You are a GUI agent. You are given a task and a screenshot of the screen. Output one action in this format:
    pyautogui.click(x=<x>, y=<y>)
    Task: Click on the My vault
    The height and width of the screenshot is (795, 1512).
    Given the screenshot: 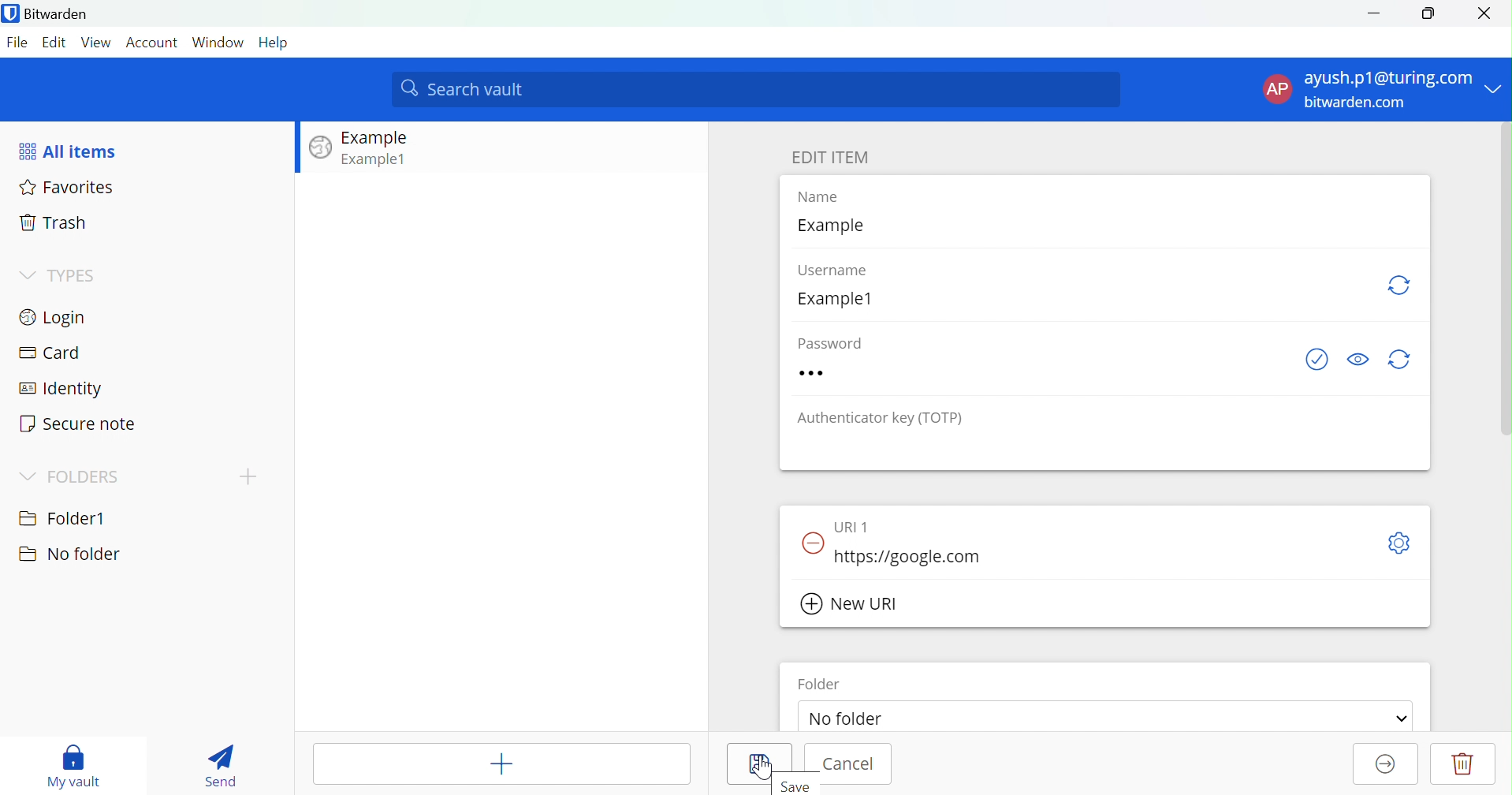 What is the action you would take?
    pyautogui.click(x=74, y=763)
    